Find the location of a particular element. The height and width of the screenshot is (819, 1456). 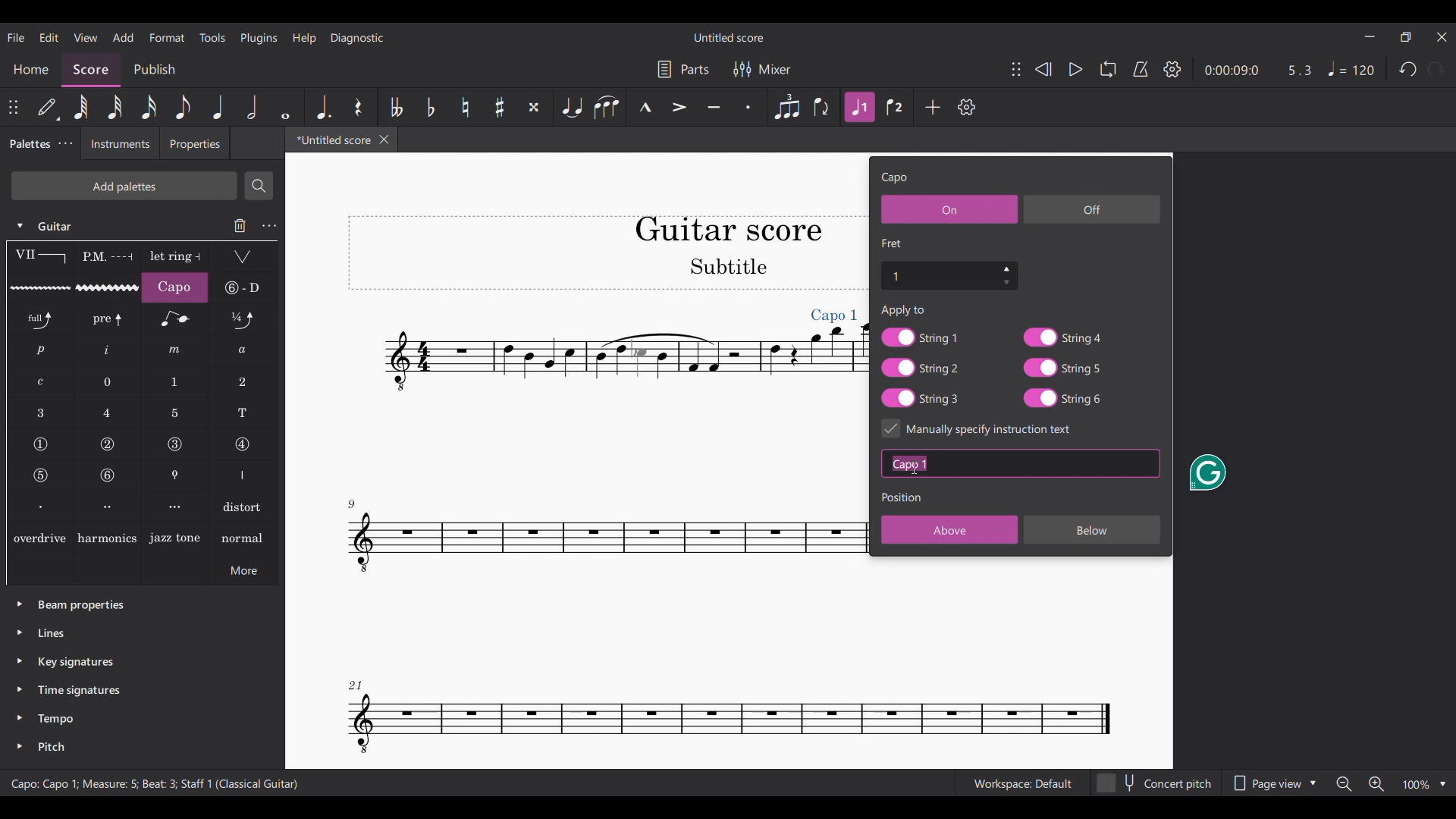

Pre-bend is located at coordinates (108, 319).